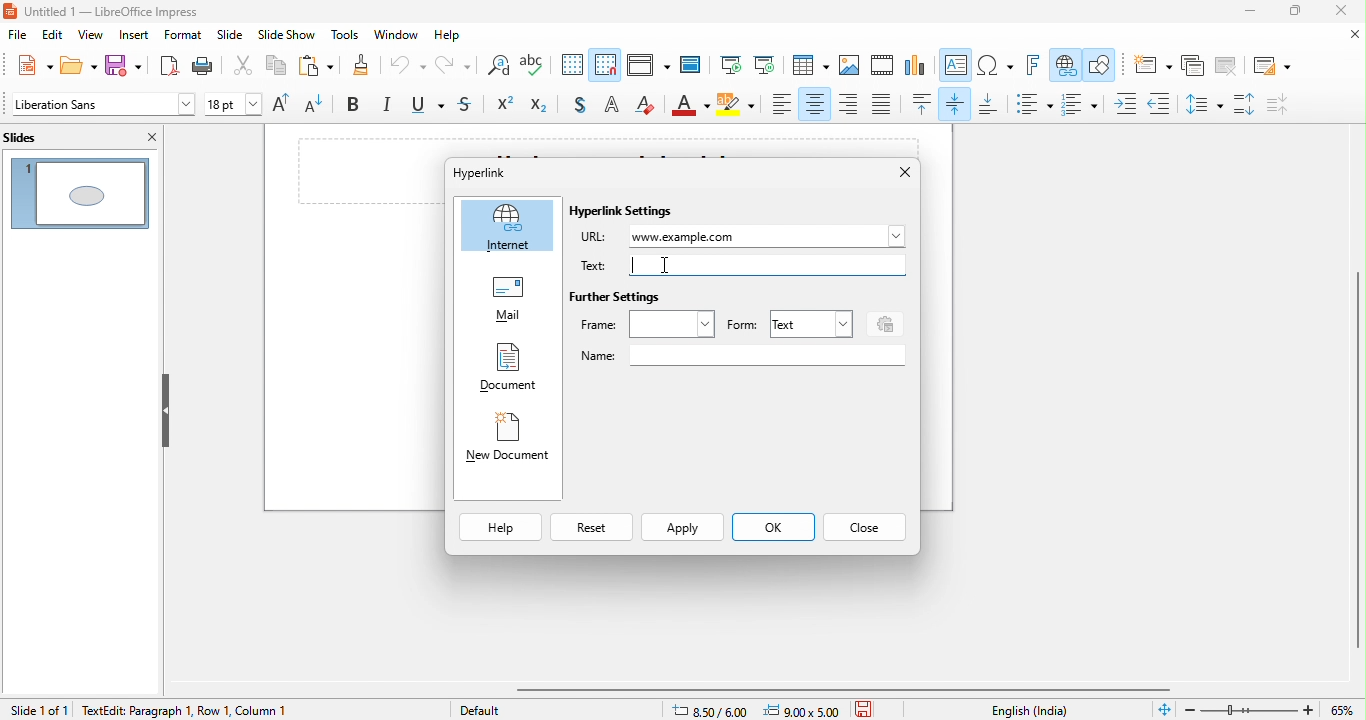 Image resolution: width=1366 pixels, height=720 pixels. I want to click on paste, so click(313, 67).